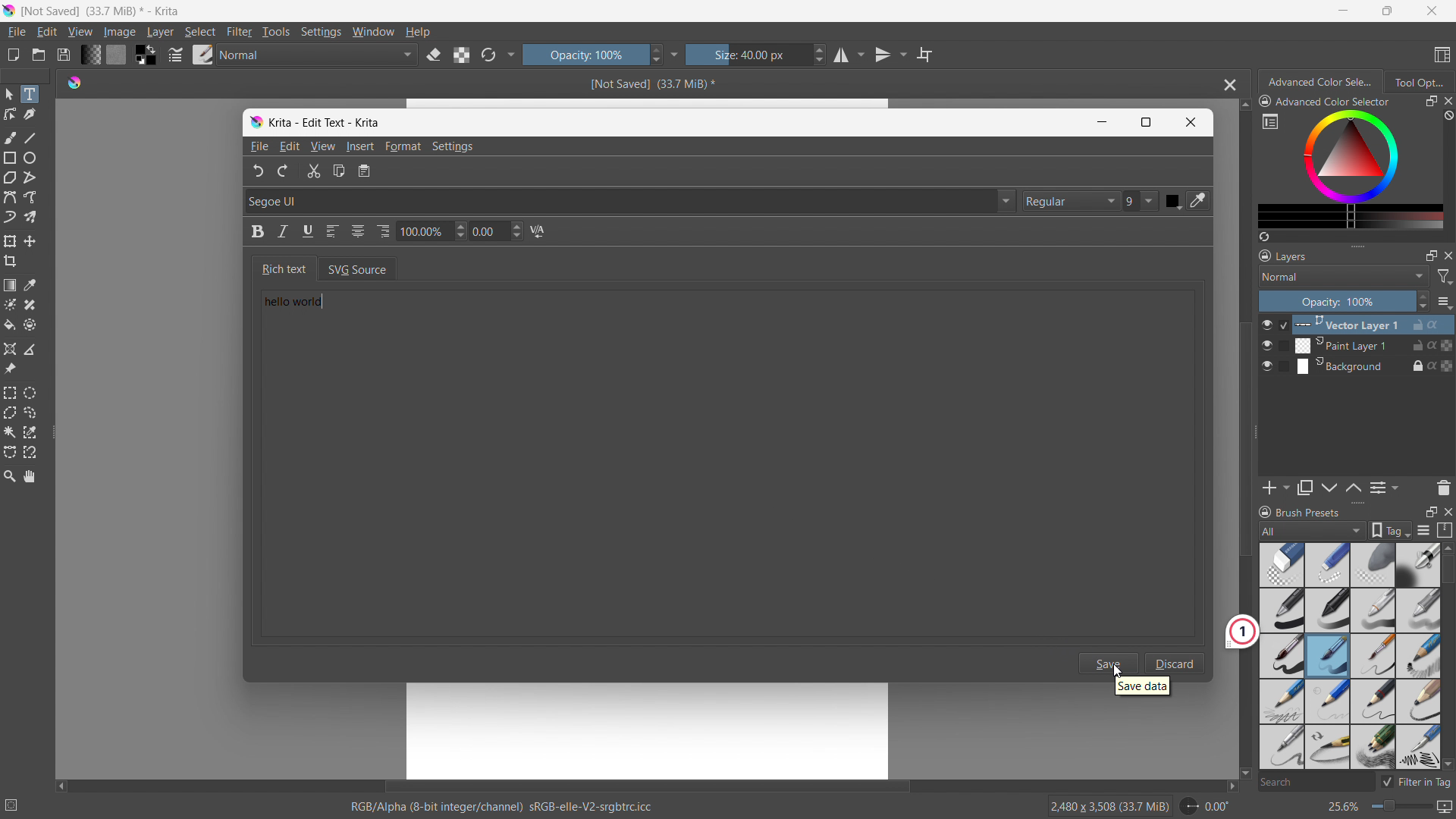 This screenshot has height=819, width=1456. Describe the element at coordinates (10, 197) in the screenshot. I see `bezier curve tool` at that location.